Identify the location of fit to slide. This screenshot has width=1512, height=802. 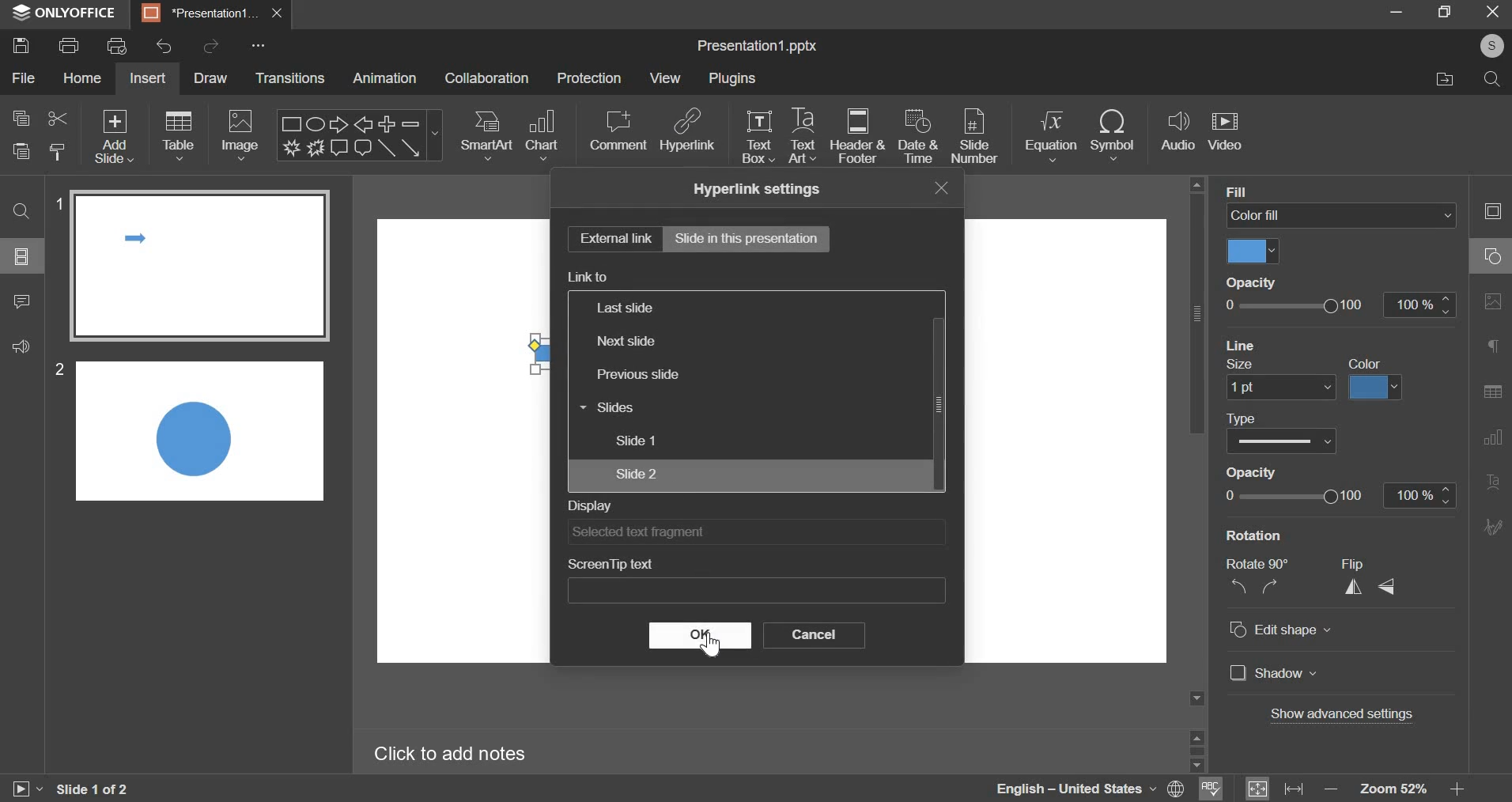
(1259, 789).